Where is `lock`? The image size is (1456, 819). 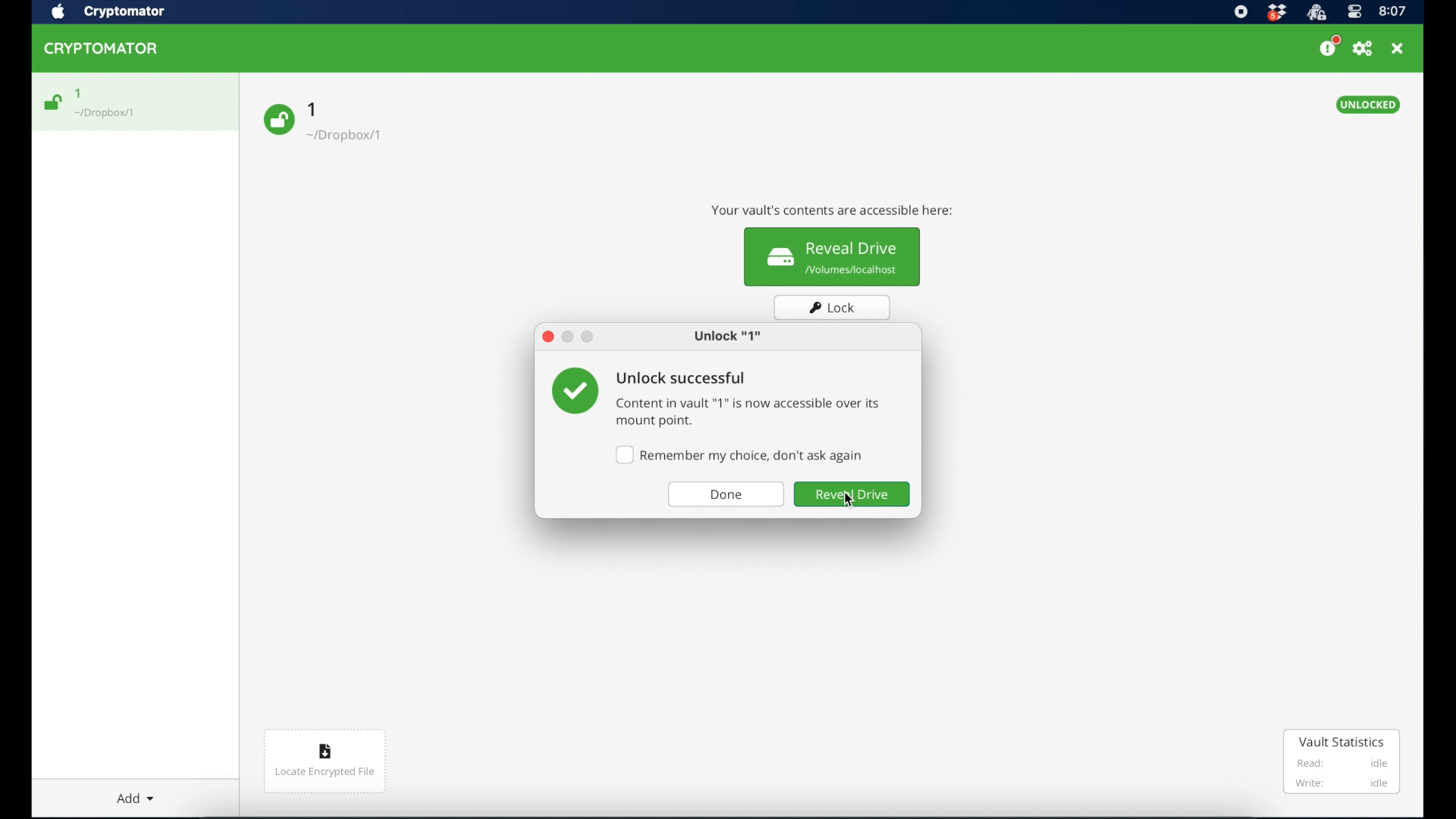
lock is located at coordinates (833, 307).